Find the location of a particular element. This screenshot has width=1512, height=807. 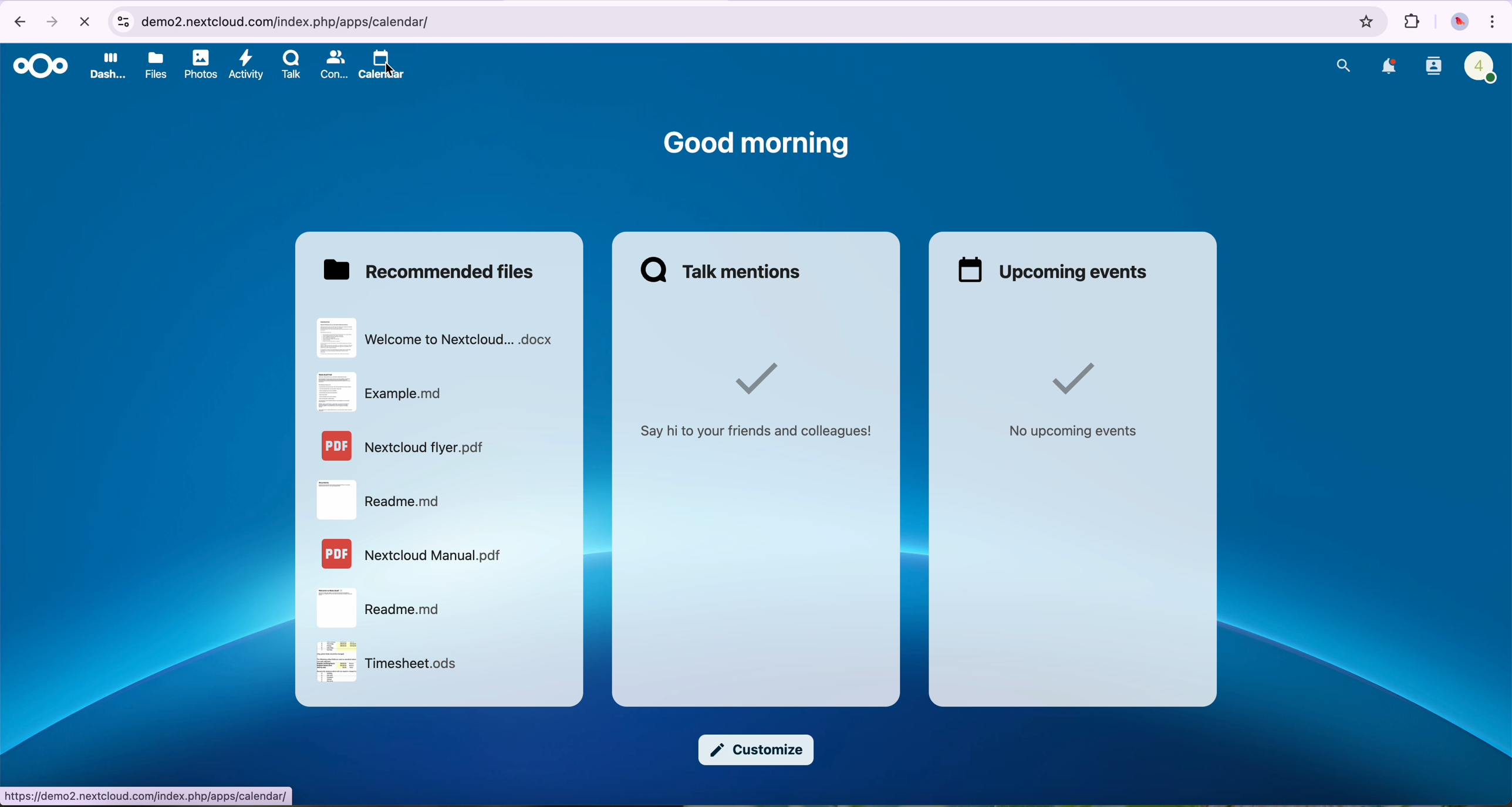

navigate back is located at coordinates (20, 21).